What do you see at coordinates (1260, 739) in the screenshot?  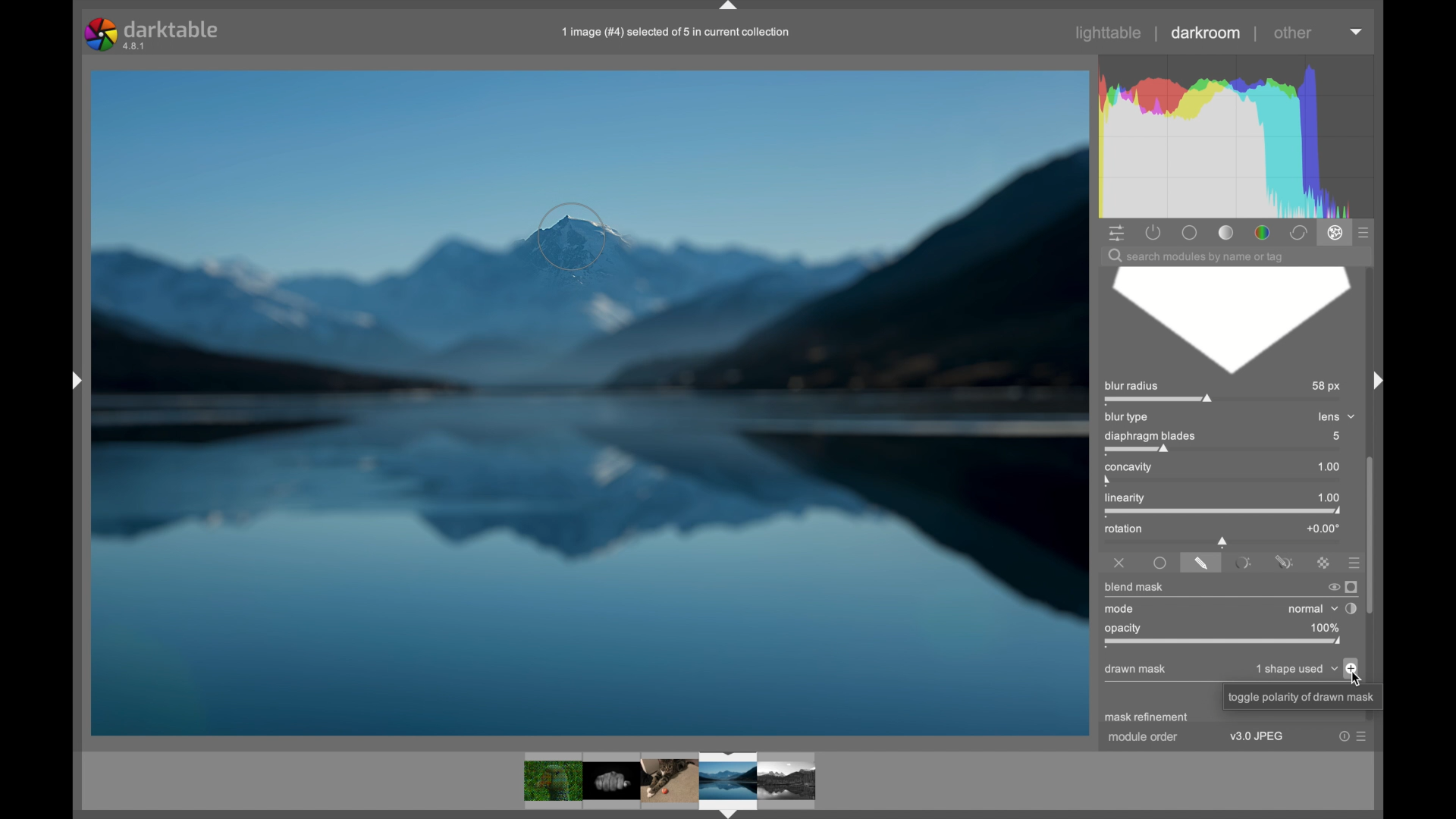 I see `v3.0 JPEG` at bounding box center [1260, 739].